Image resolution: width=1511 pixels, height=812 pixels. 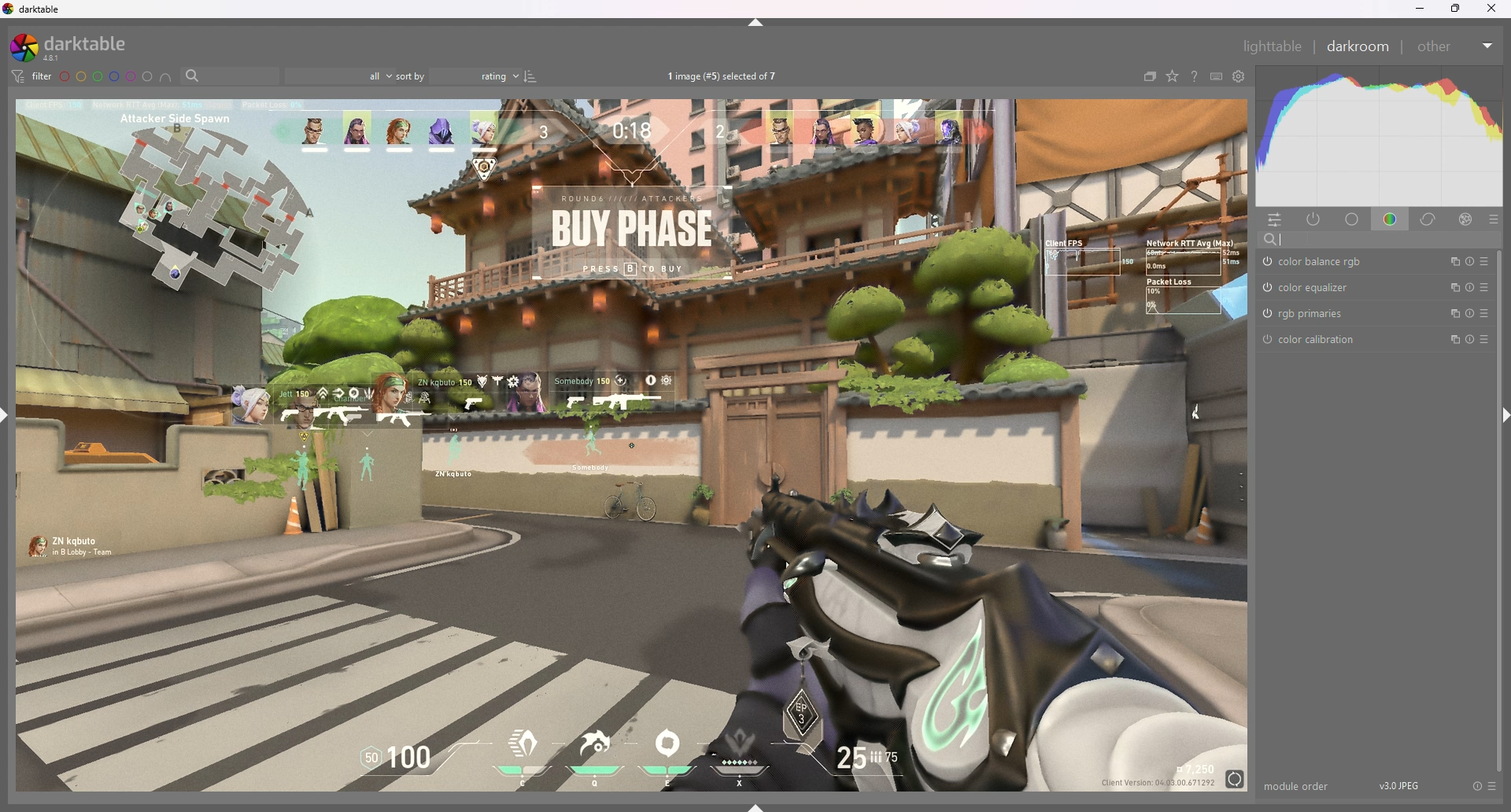 What do you see at coordinates (631, 446) in the screenshot?
I see `image` at bounding box center [631, 446].